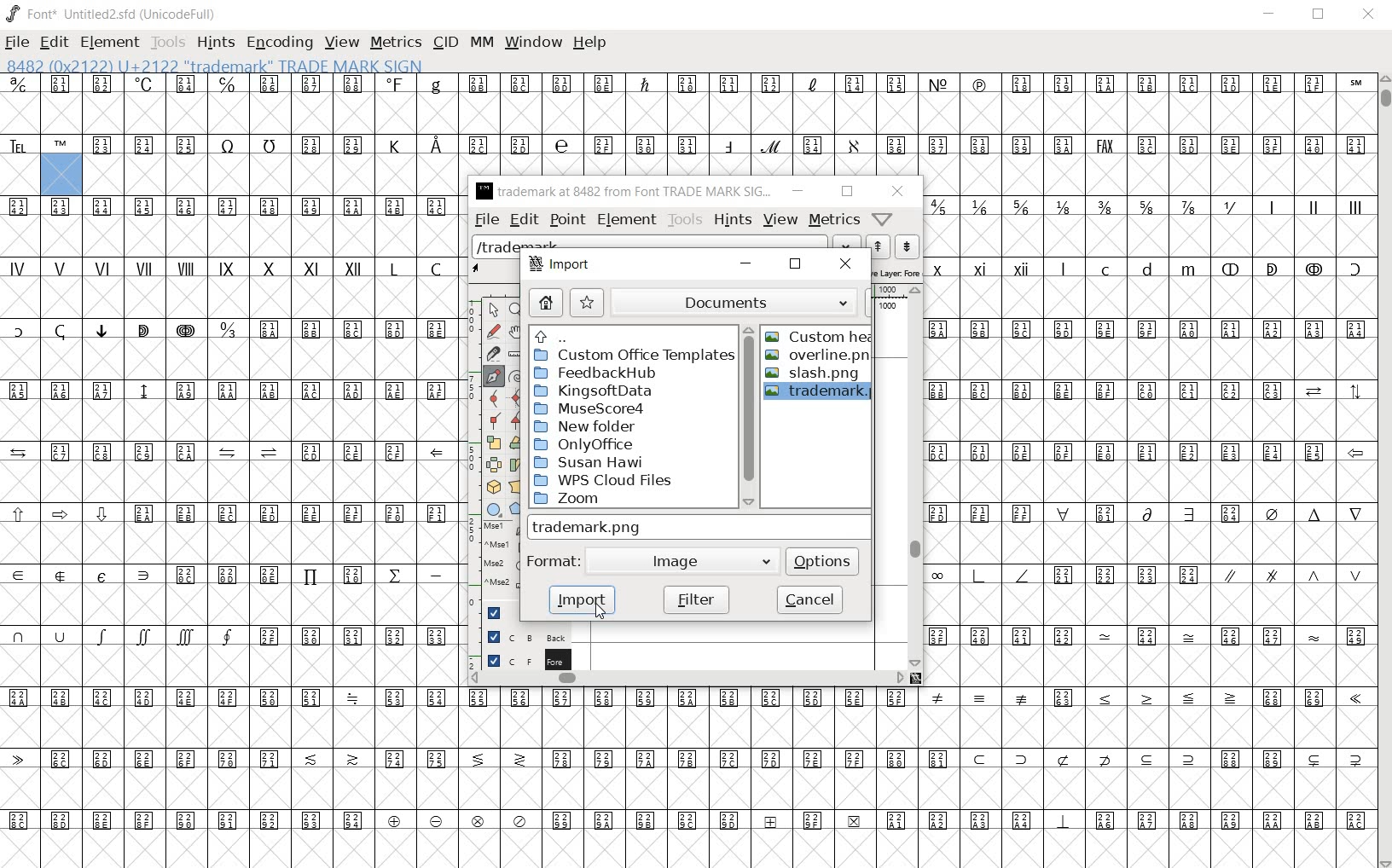  What do you see at coordinates (906, 246) in the screenshot?
I see `show the previous word on the list` at bounding box center [906, 246].